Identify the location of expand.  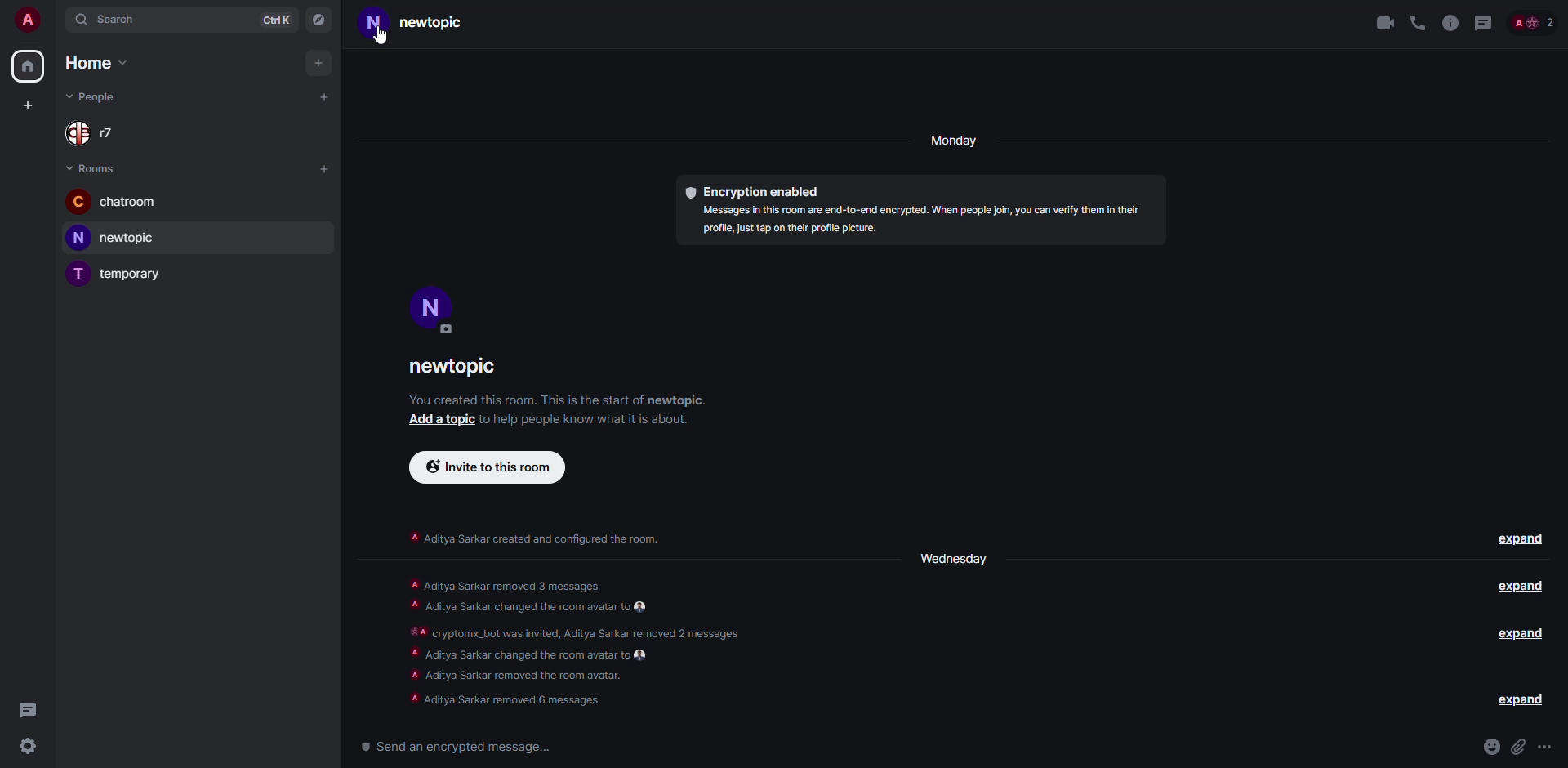
(1521, 634).